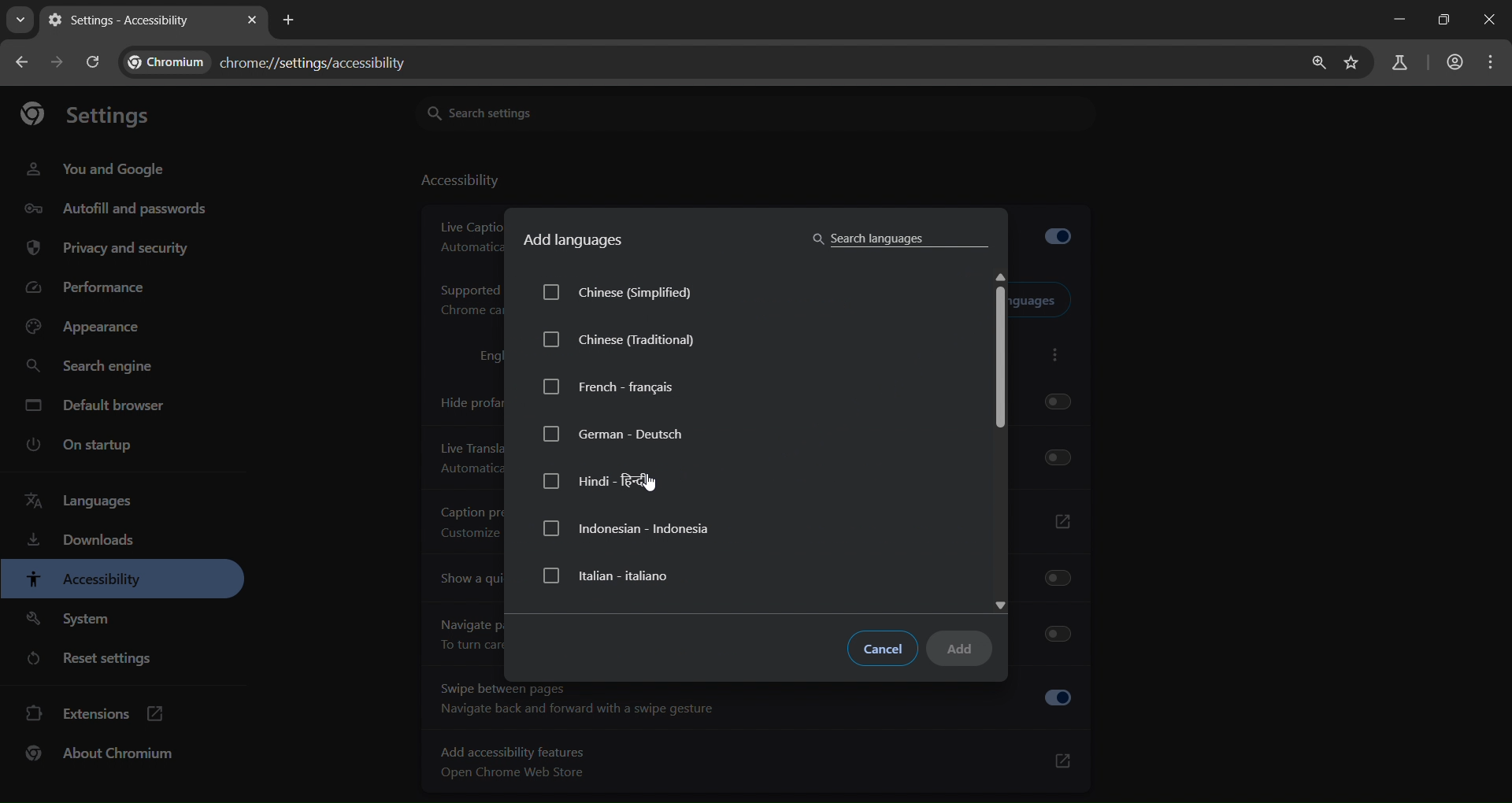 This screenshot has height=803, width=1512. I want to click on add languages, so click(575, 242).